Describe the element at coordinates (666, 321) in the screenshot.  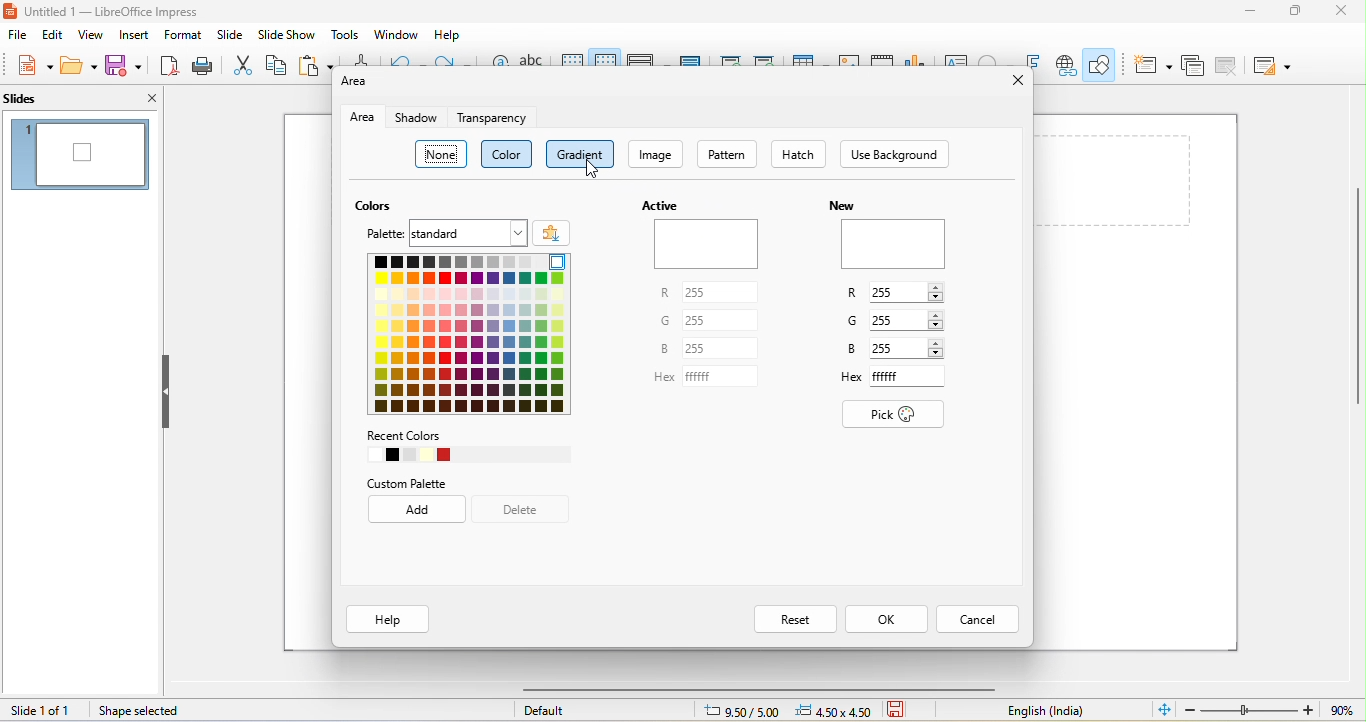
I see `G` at that location.